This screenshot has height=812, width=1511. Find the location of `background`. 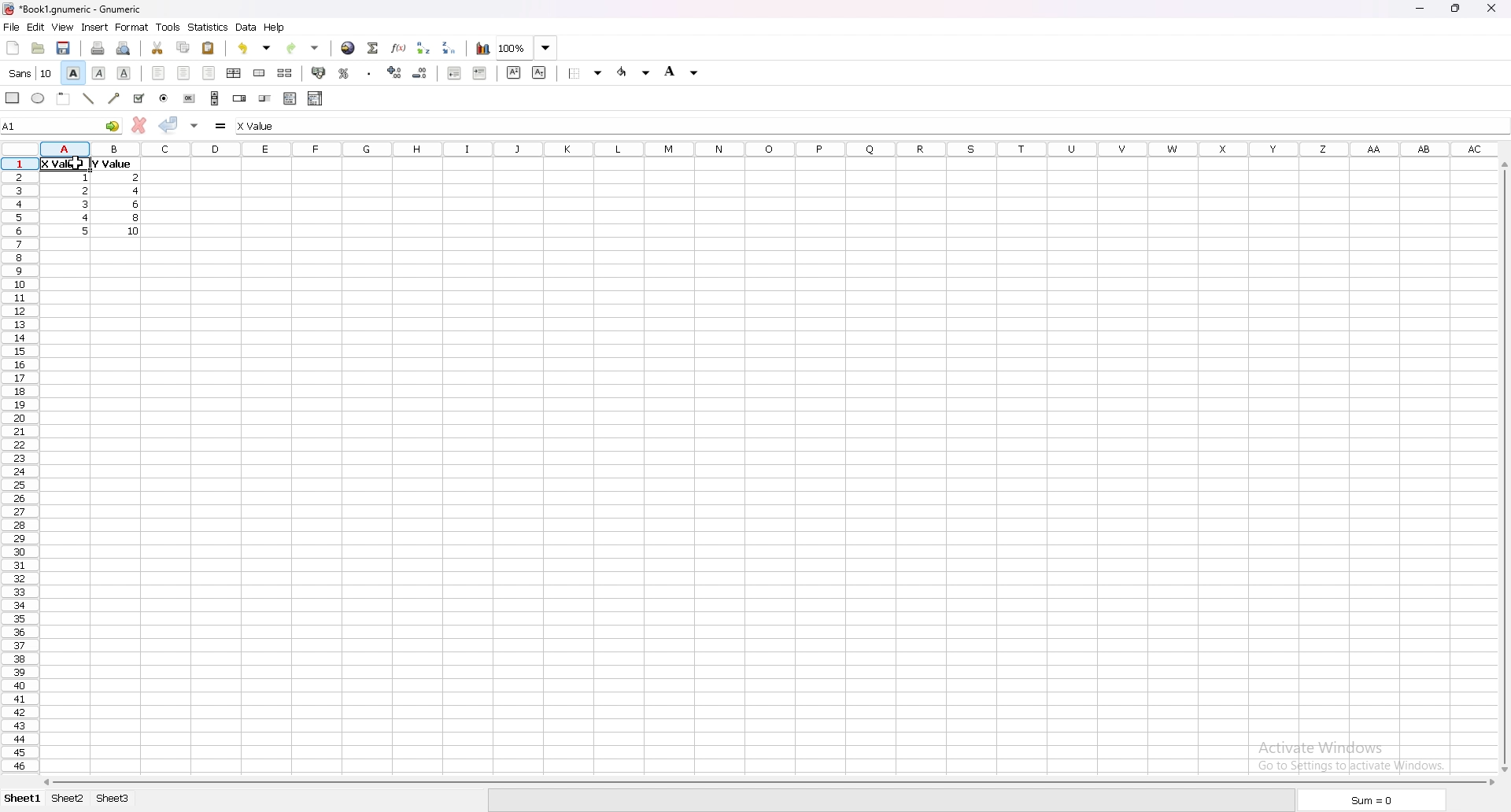

background is located at coordinates (682, 71).